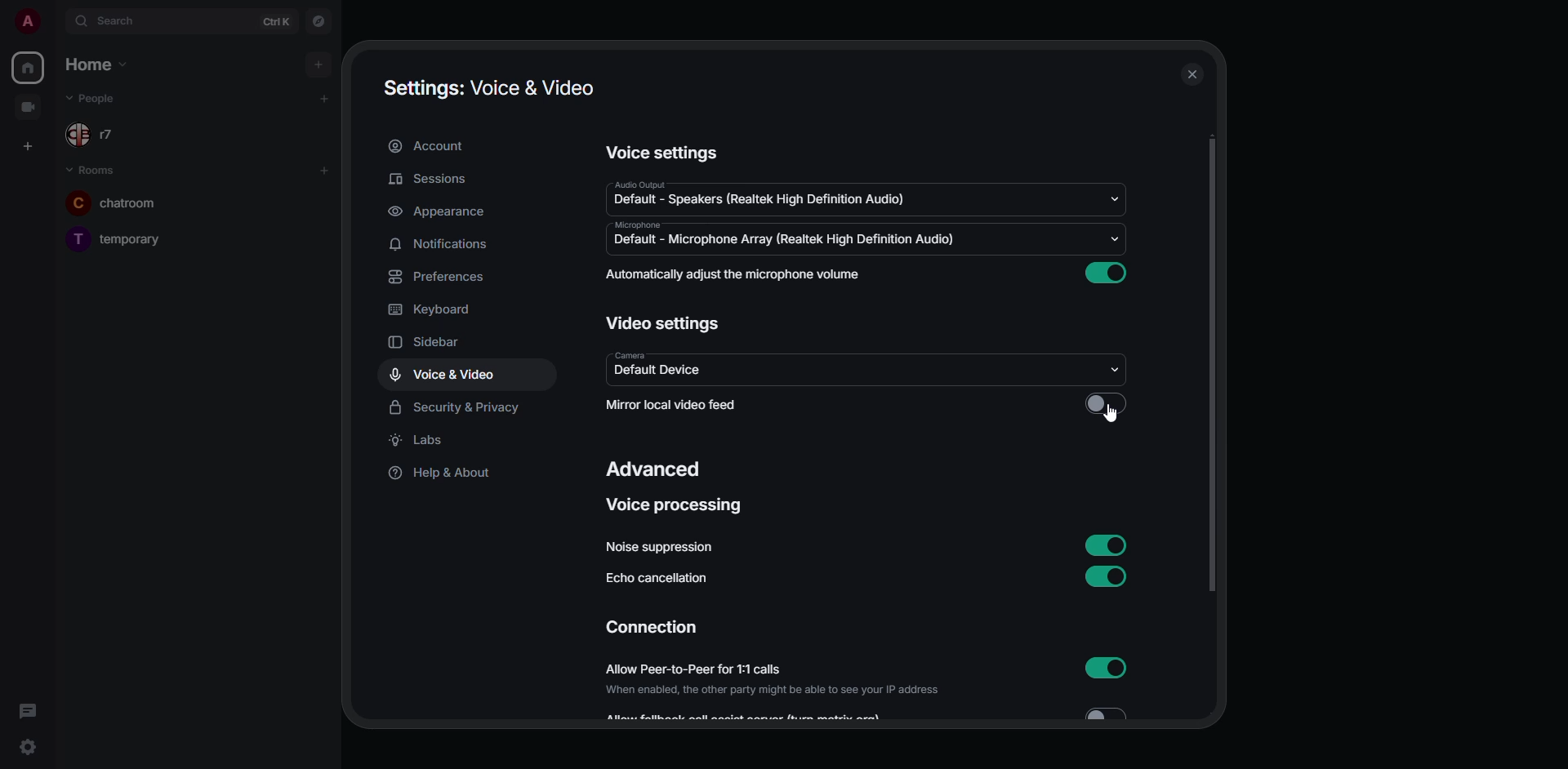 This screenshot has height=769, width=1568. What do you see at coordinates (666, 371) in the screenshot?
I see `default` at bounding box center [666, 371].